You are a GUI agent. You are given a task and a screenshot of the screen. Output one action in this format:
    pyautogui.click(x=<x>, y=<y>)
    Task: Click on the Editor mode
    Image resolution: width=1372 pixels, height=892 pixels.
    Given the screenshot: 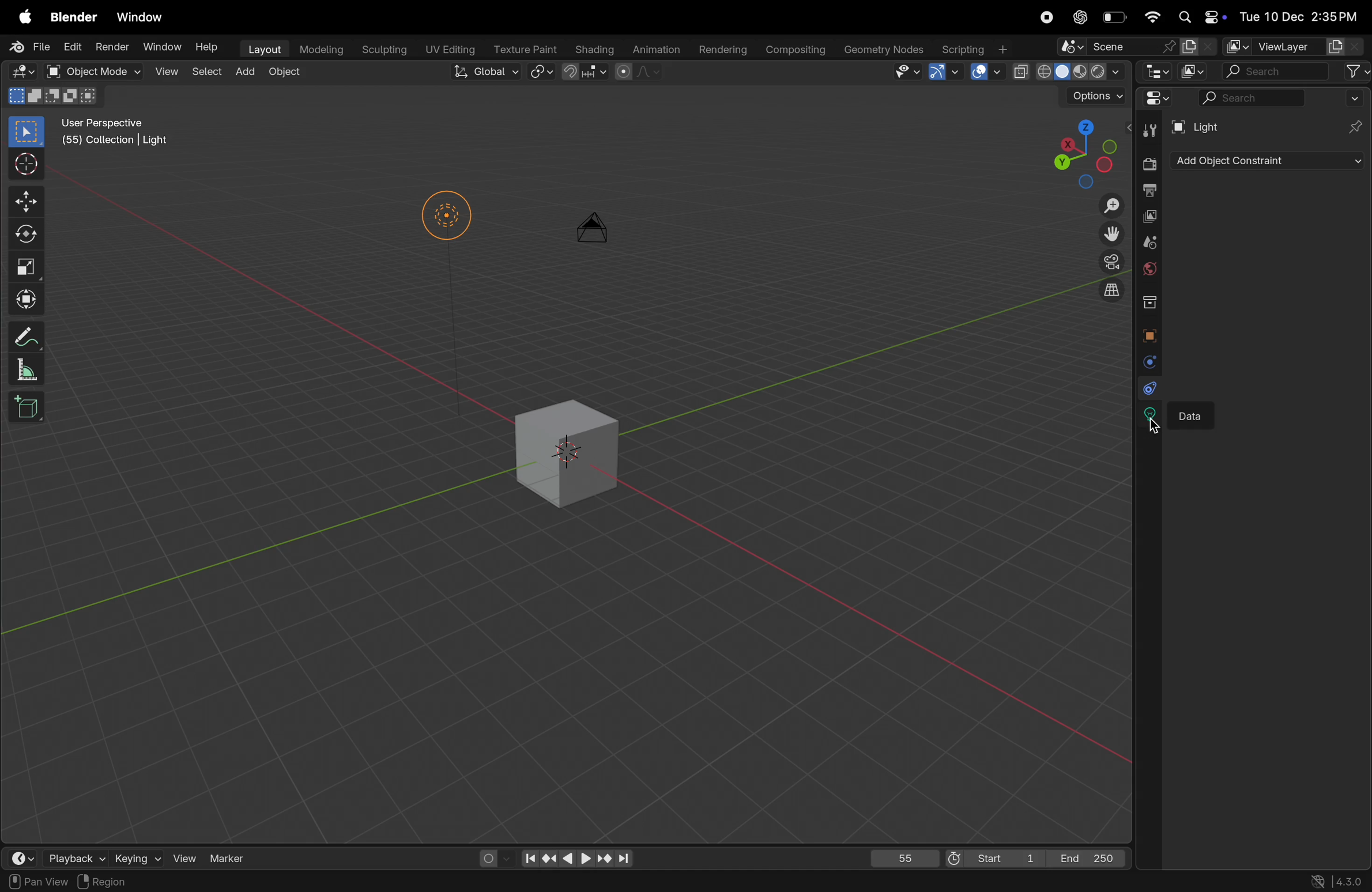 What is the action you would take?
    pyautogui.click(x=1156, y=101)
    